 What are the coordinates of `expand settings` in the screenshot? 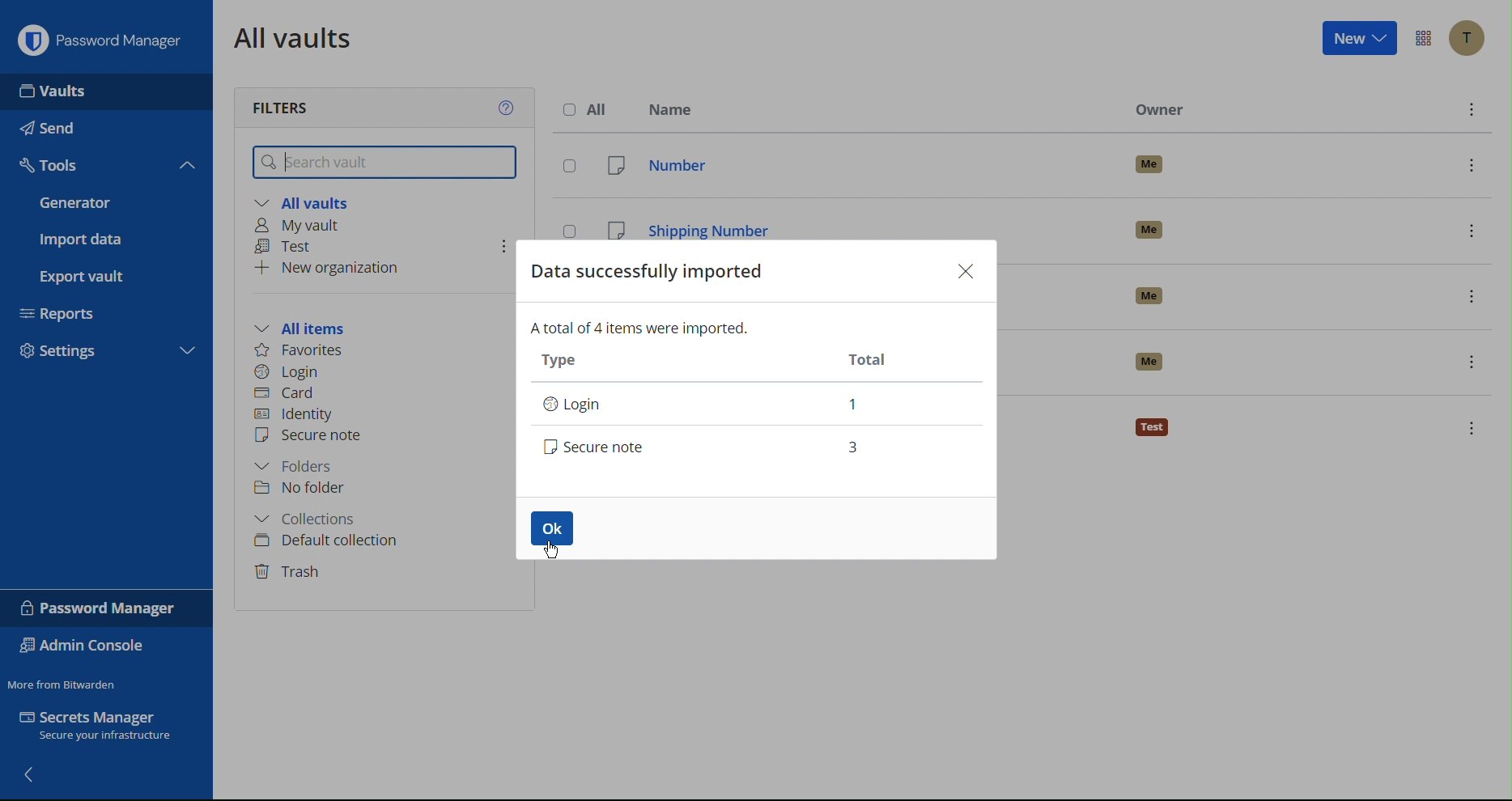 It's located at (188, 353).